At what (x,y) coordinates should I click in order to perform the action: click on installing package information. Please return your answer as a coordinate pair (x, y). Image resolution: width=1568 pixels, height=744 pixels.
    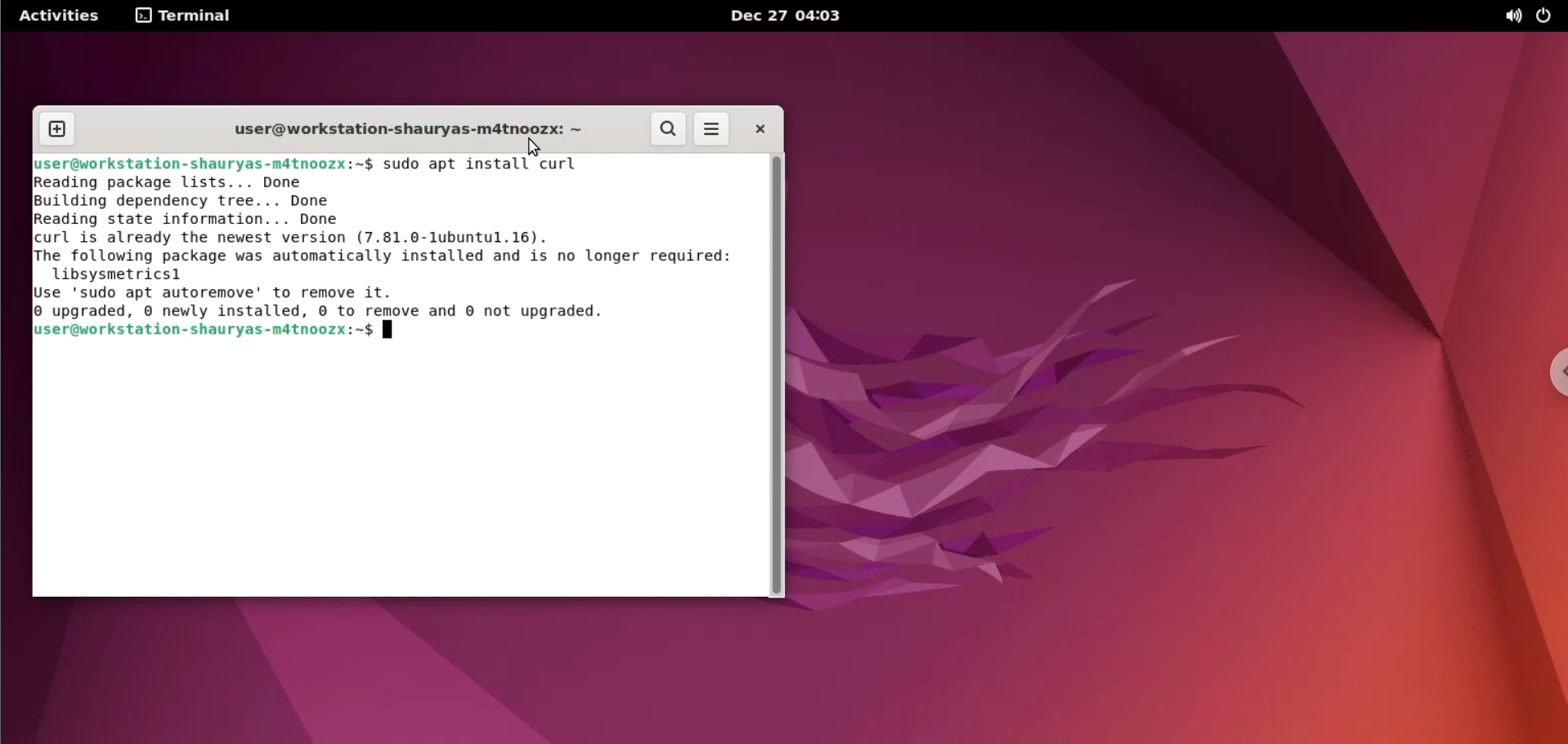
    Looking at the image, I should click on (390, 248).